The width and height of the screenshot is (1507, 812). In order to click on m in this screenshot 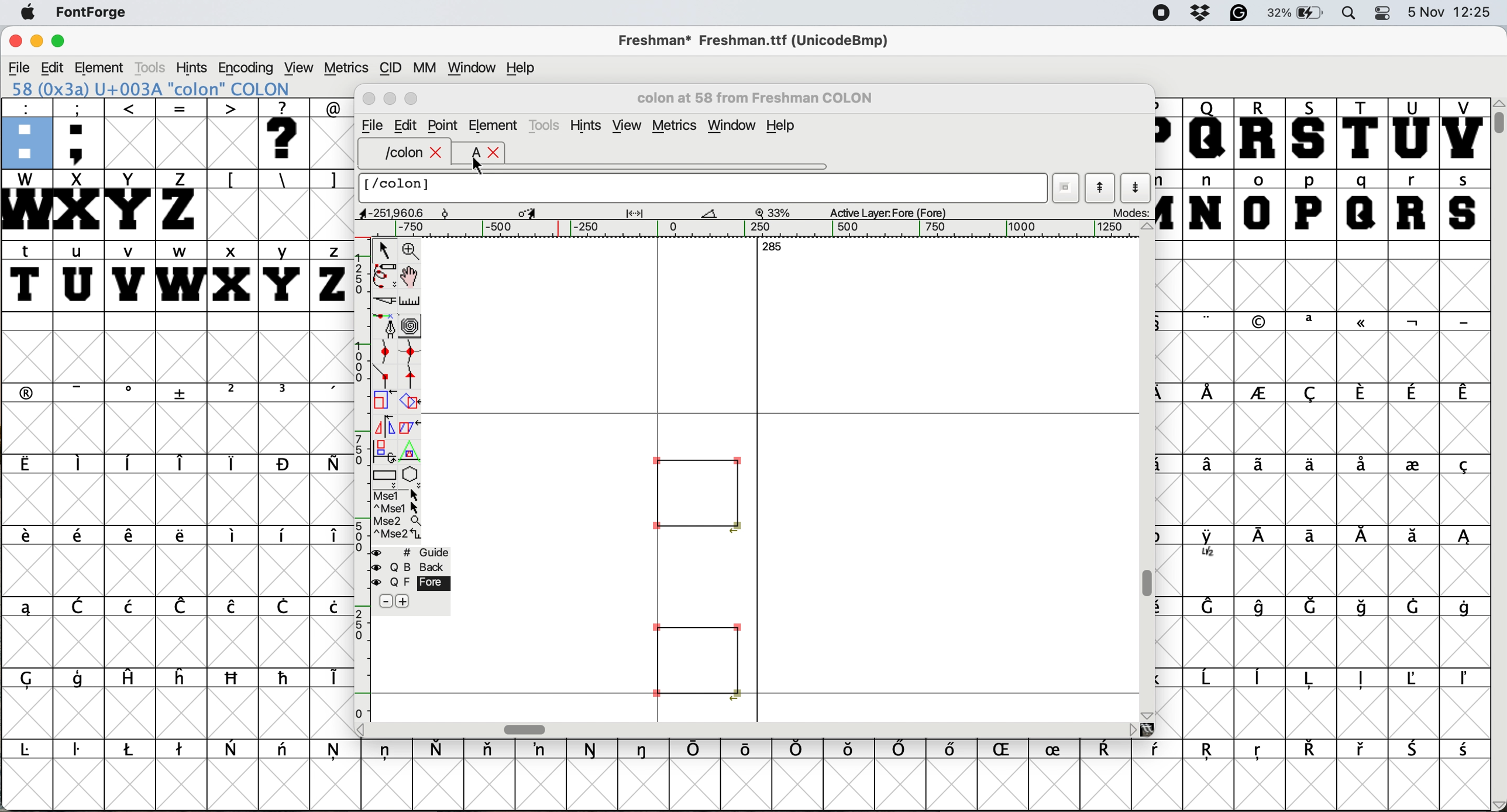, I will do `click(1169, 204)`.